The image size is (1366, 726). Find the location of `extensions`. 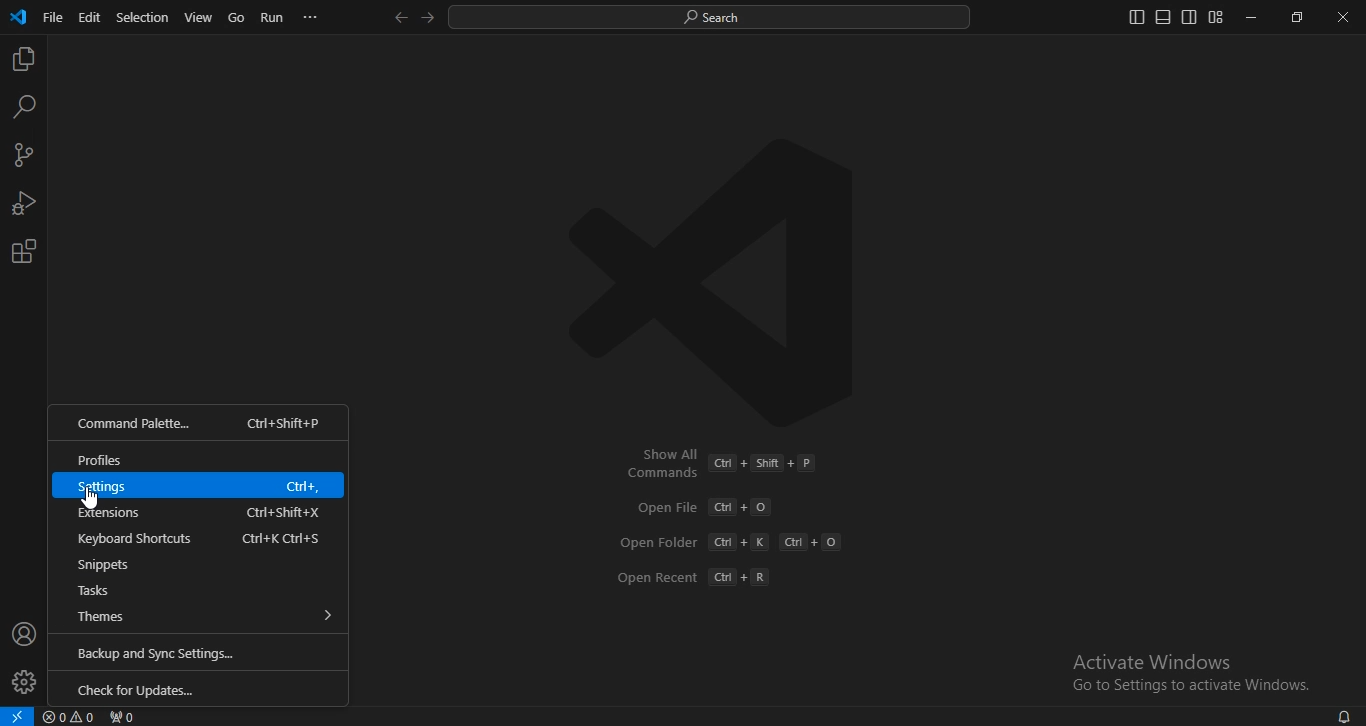

extensions is located at coordinates (200, 511).